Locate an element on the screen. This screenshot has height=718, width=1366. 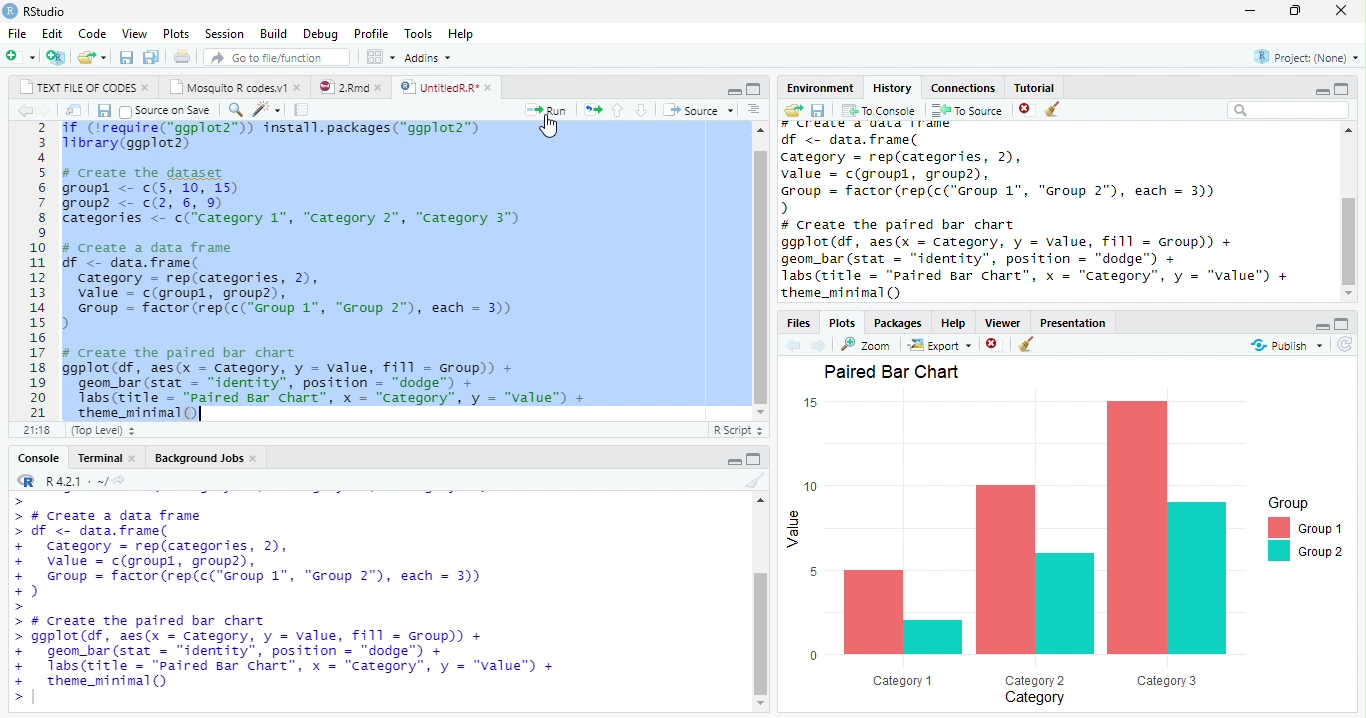
21:18 is located at coordinates (39, 430).